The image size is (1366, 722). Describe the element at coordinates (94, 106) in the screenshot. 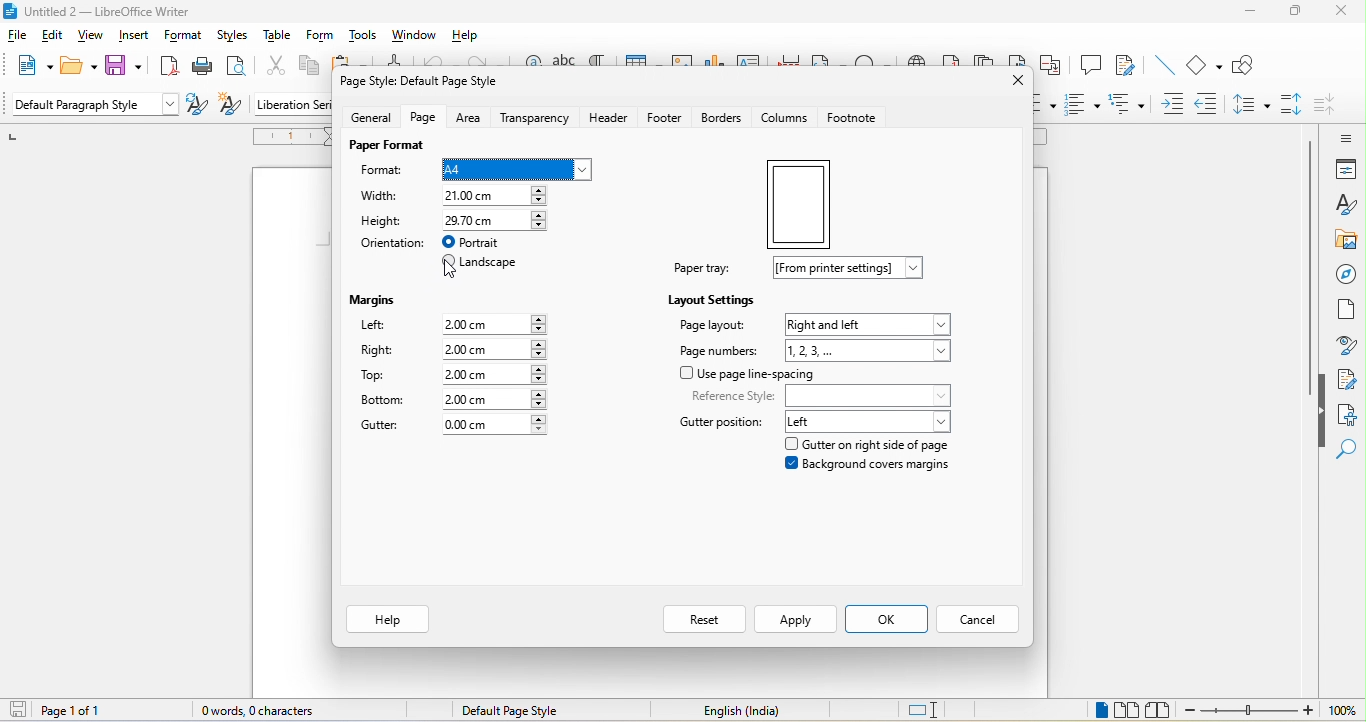

I see `Default paragraph style` at that location.